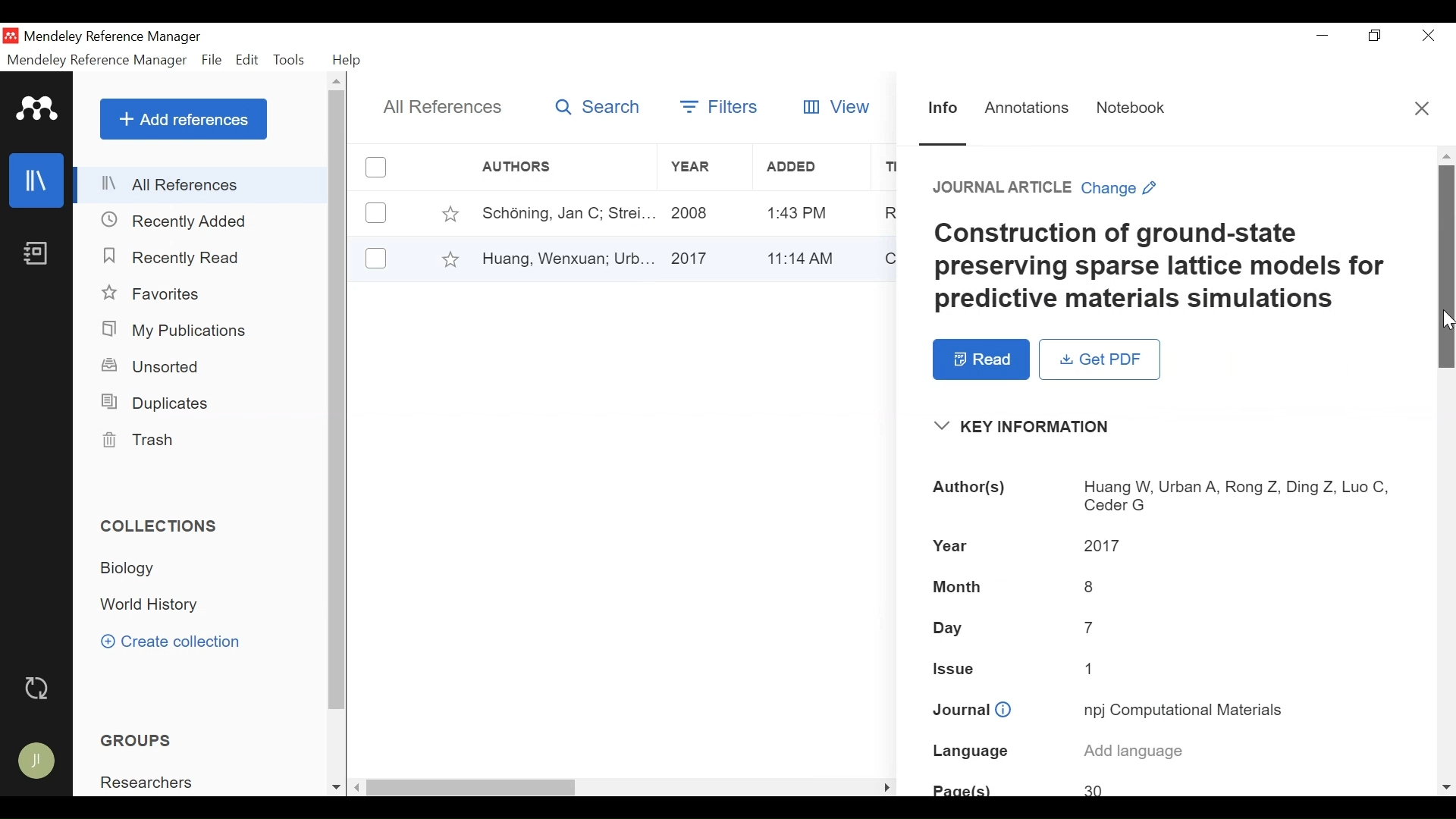  What do you see at coordinates (807, 256) in the screenshot?
I see `Added` at bounding box center [807, 256].